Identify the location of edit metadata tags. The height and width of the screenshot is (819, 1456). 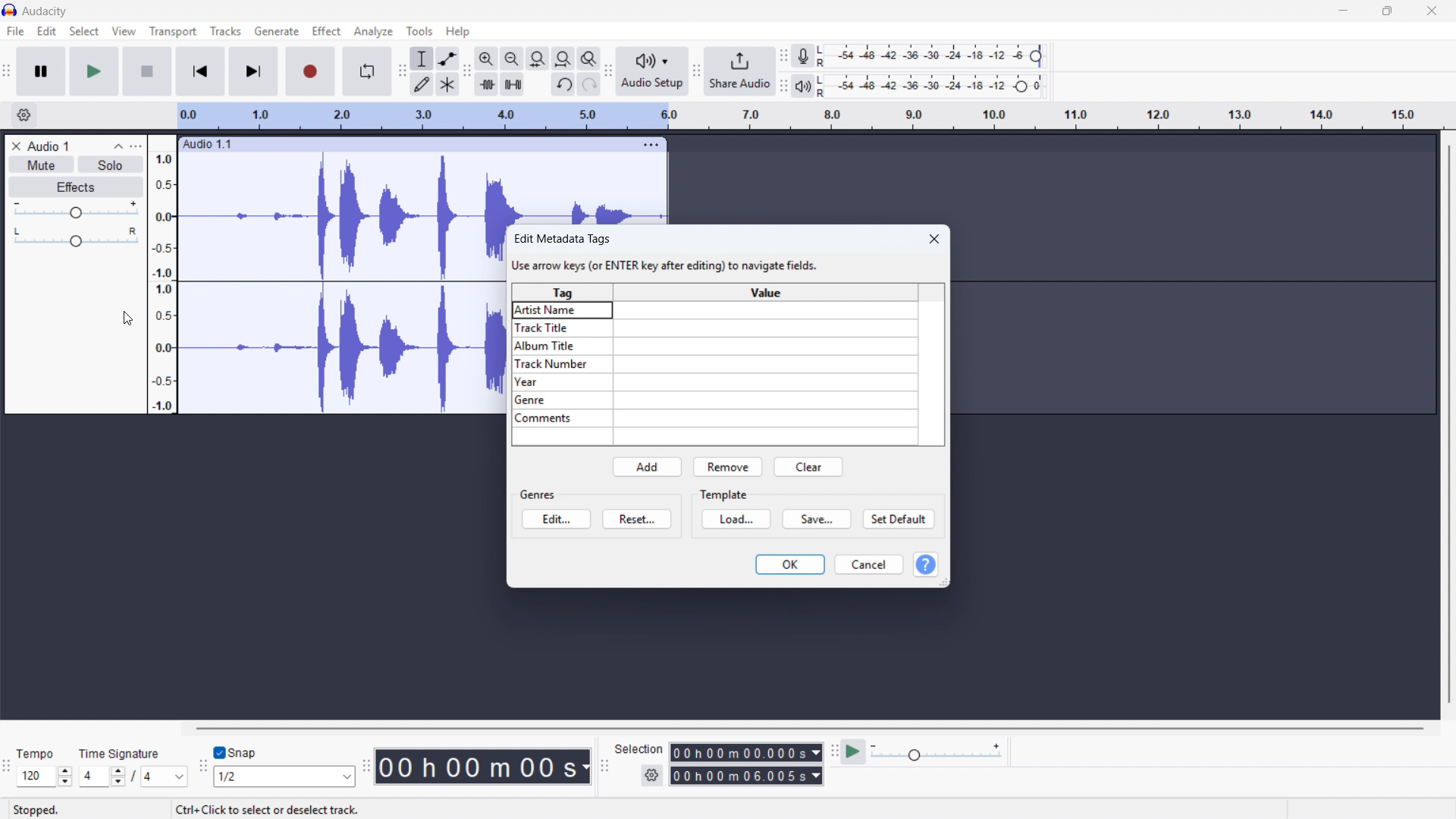
(563, 239).